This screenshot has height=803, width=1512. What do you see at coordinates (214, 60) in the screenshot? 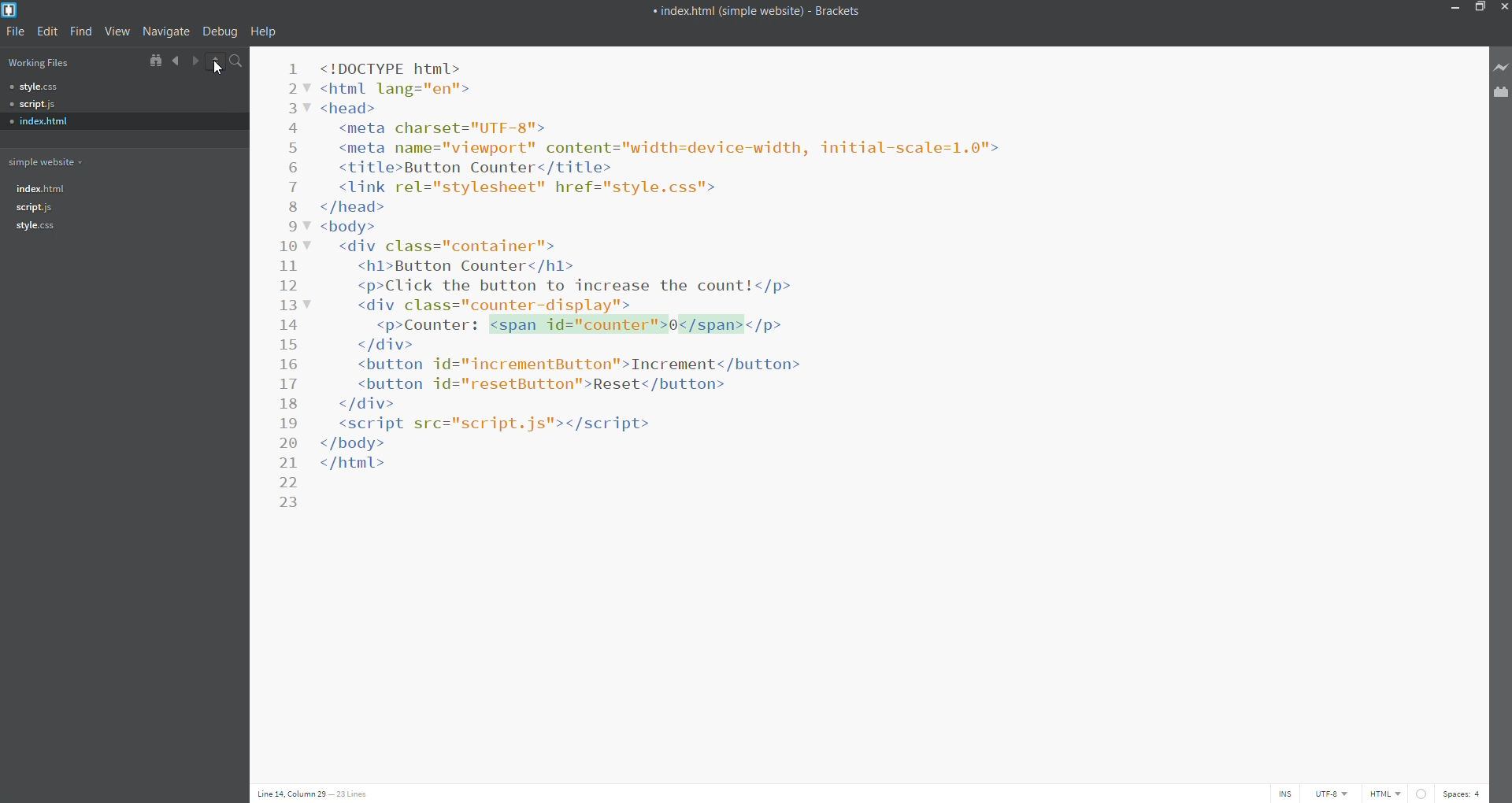
I see `split icon` at bounding box center [214, 60].